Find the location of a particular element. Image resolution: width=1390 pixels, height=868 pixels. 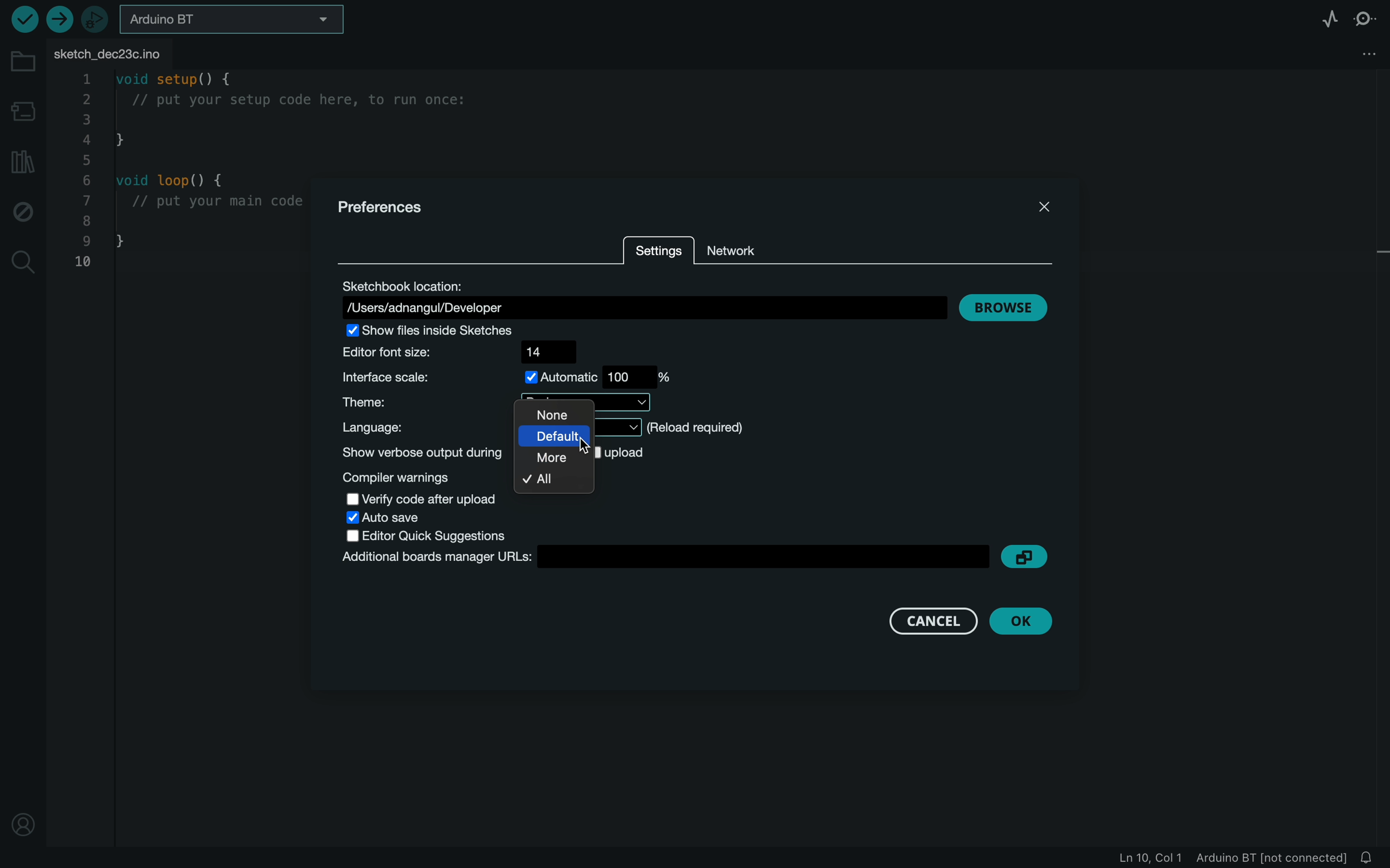

compile warnings  is located at coordinates (421, 478).